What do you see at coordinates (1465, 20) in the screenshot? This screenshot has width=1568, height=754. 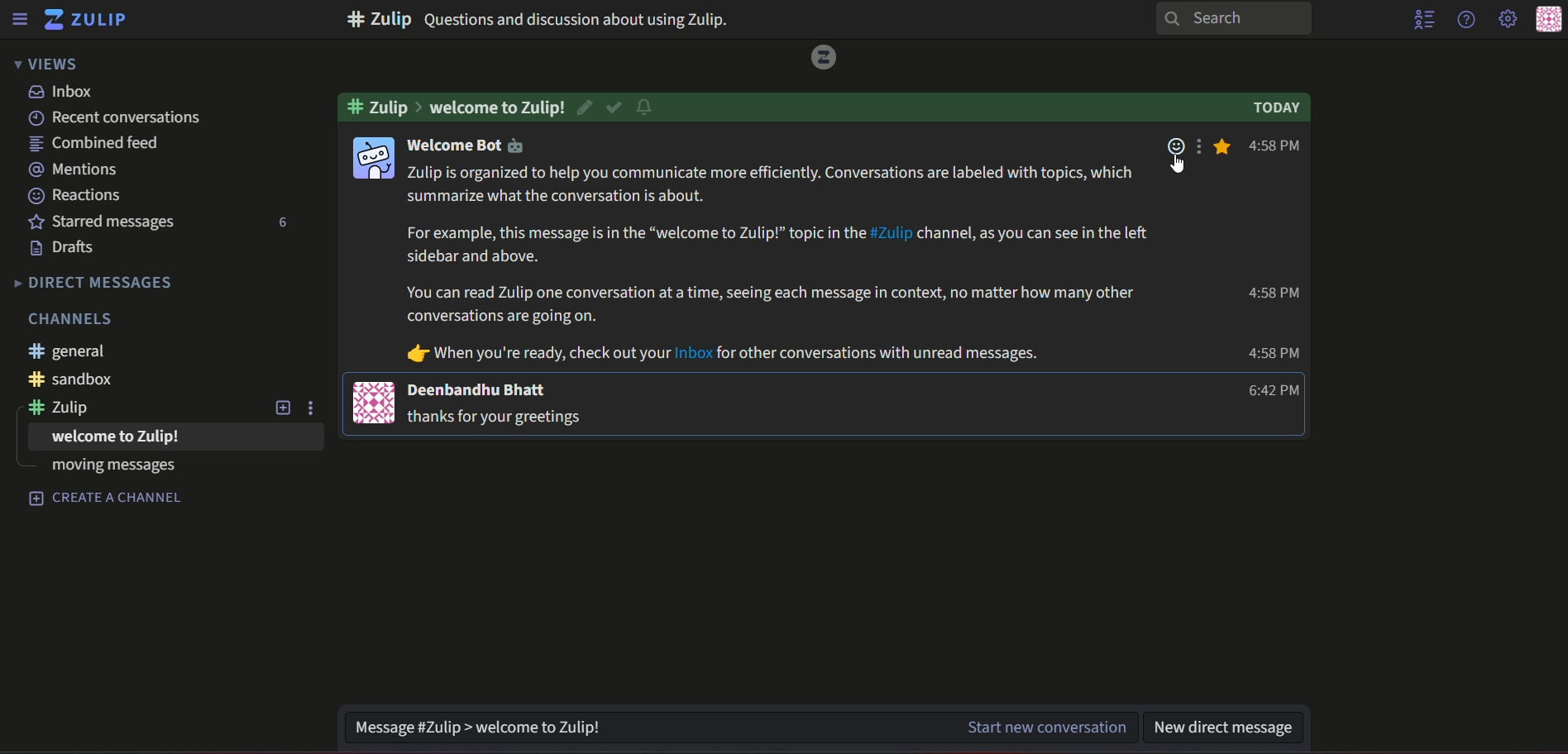 I see `help menu` at bounding box center [1465, 20].